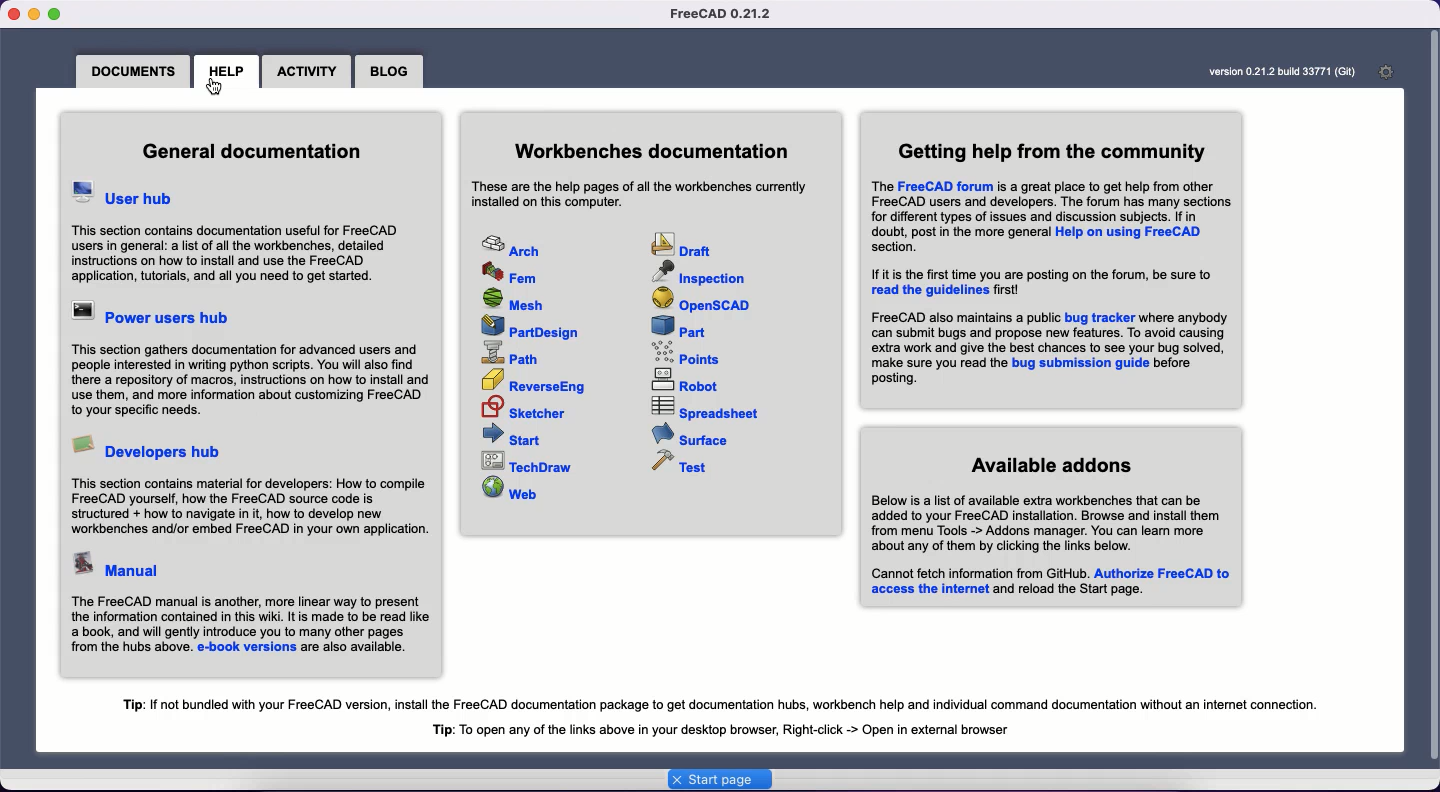 This screenshot has width=1440, height=792. Describe the element at coordinates (684, 462) in the screenshot. I see `Test` at that location.